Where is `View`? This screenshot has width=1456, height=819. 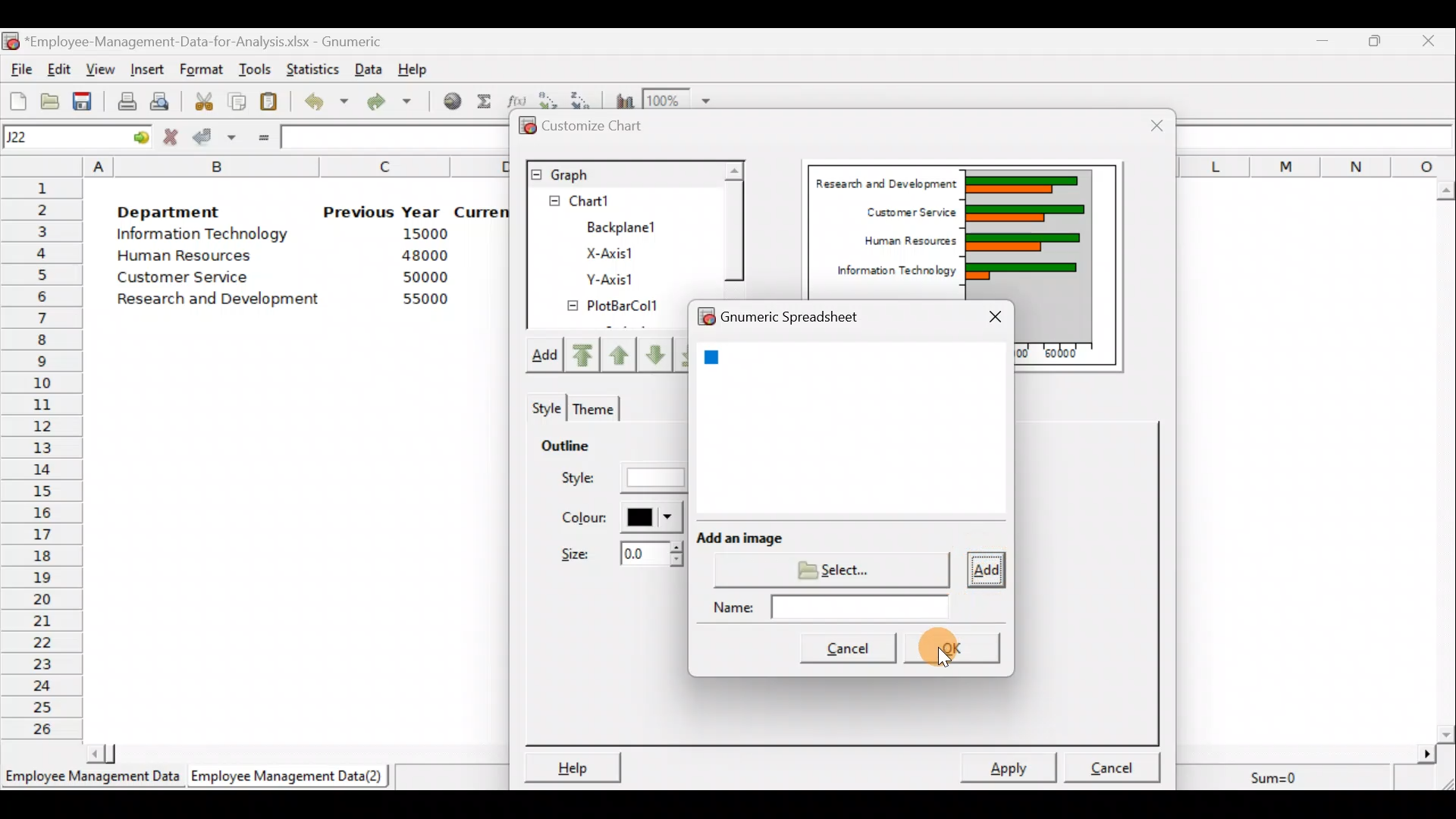 View is located at coordinates (101, 68).